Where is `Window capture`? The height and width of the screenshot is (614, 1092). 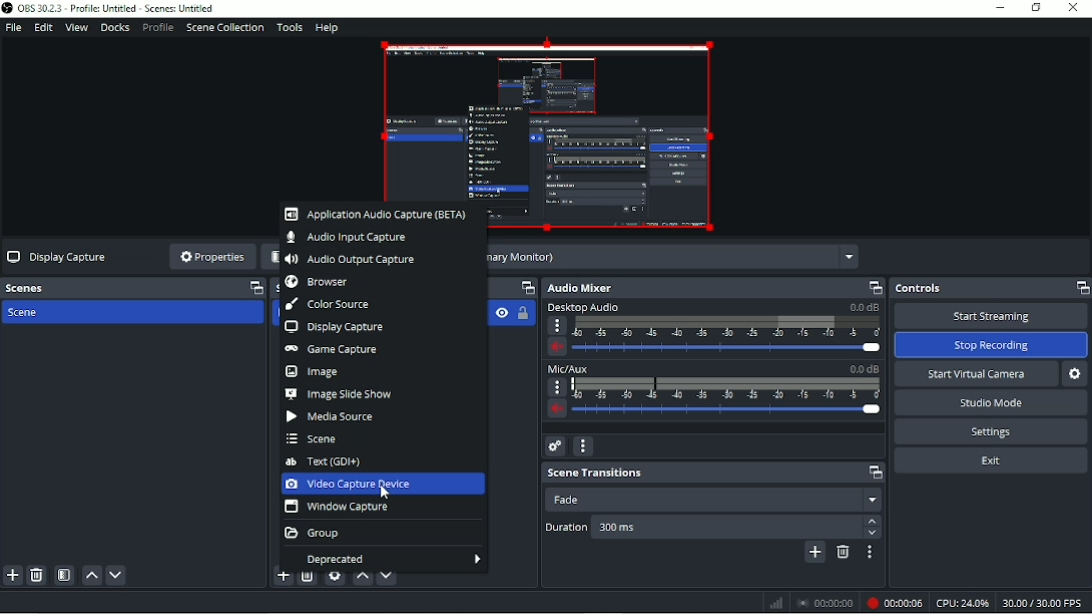
Window capture is located at coordinates (336, 508).